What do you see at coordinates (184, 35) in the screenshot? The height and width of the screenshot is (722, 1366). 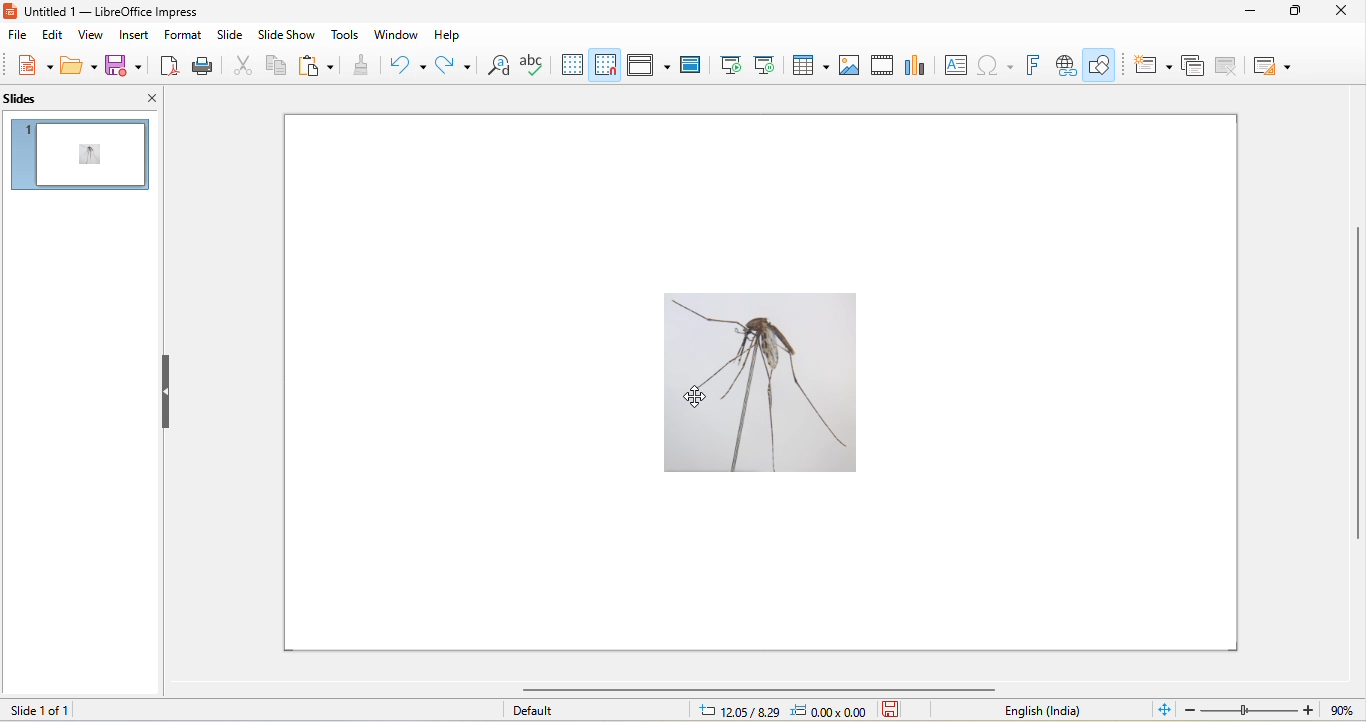 I see `format` at bounding box center [184, 35].